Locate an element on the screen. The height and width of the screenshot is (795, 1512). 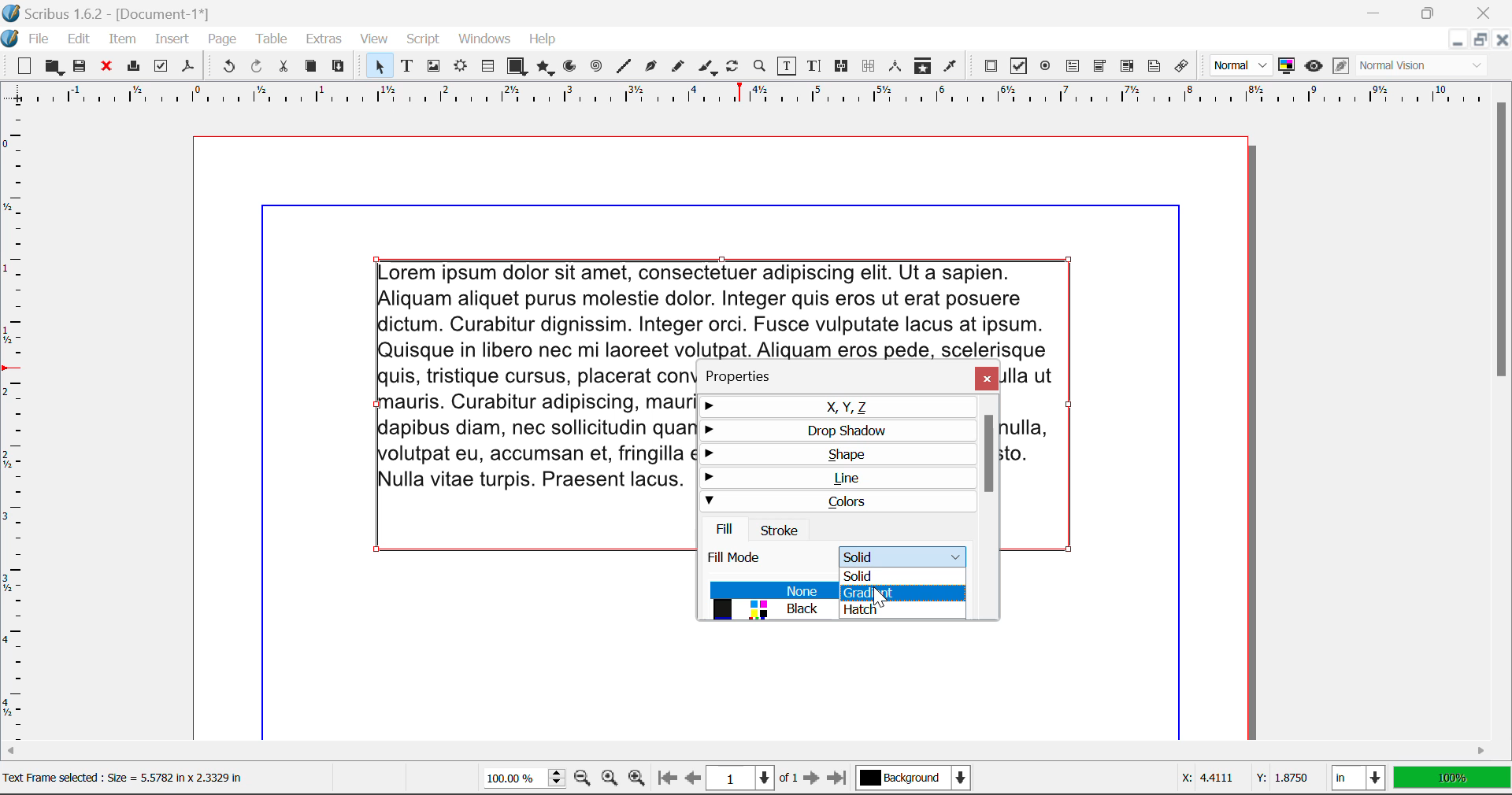
Script is located at coordinates (424, 39).